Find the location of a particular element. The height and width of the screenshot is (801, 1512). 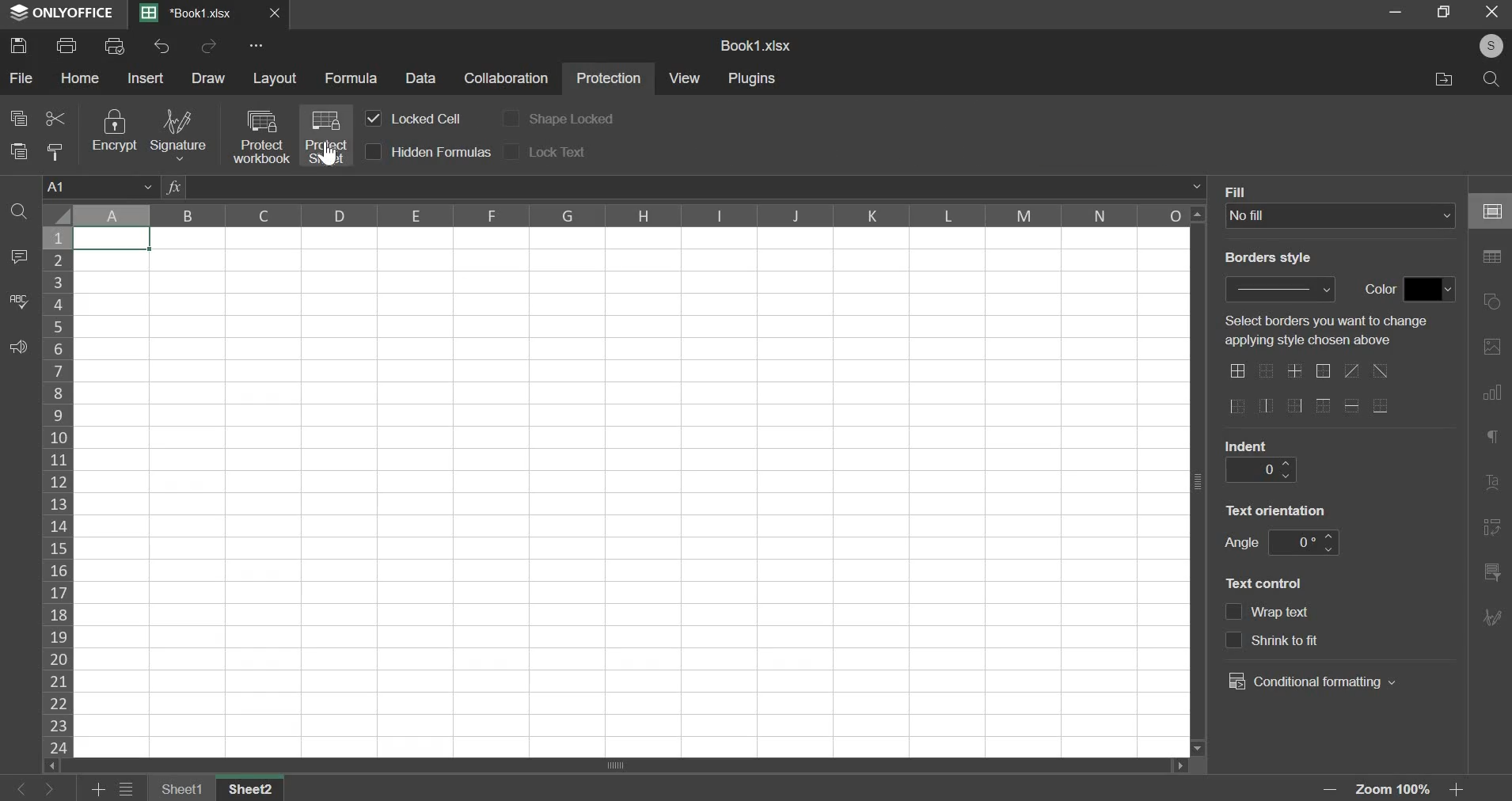

copy is located at coordinates (18, 117).